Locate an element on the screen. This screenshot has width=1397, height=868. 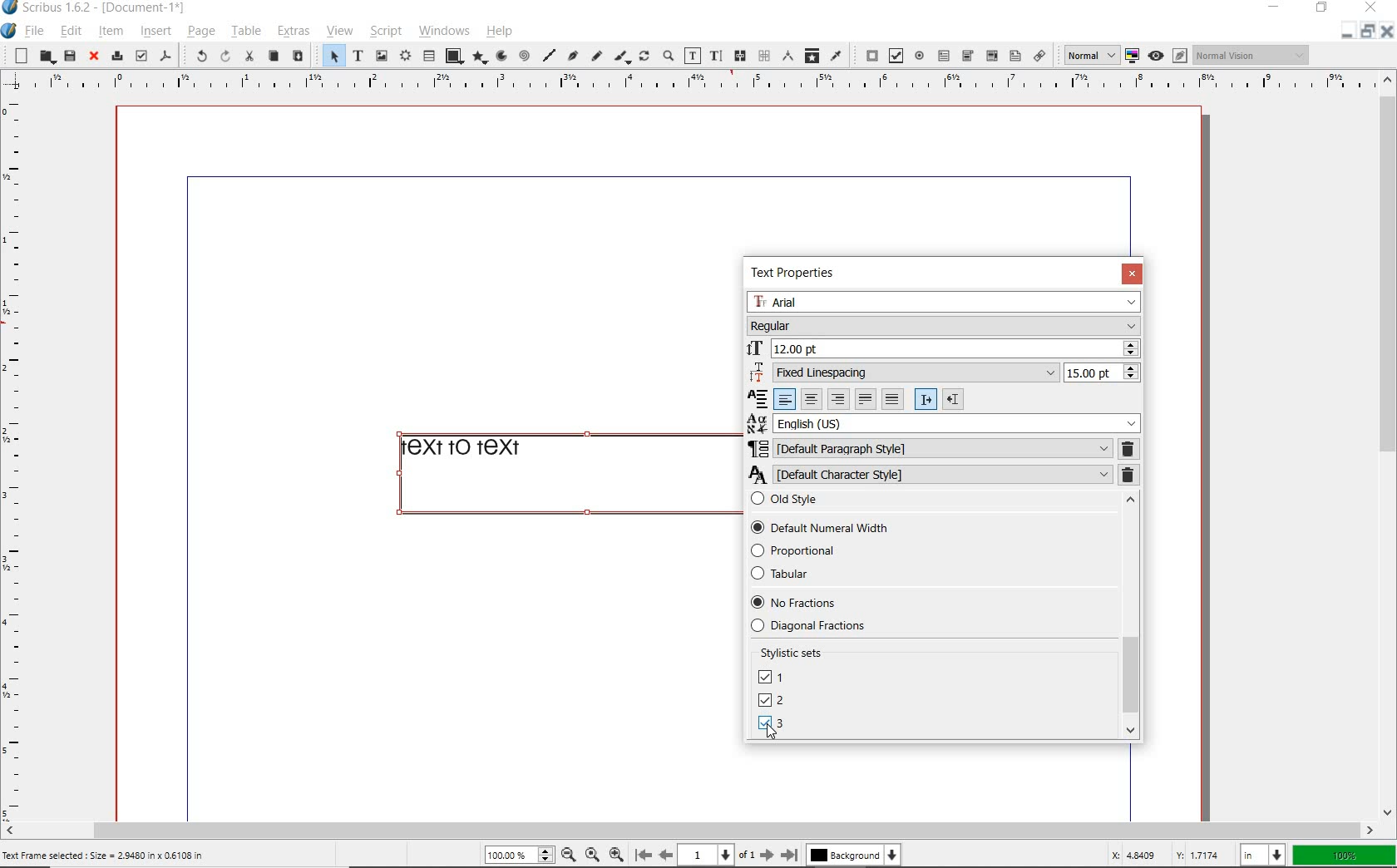
UNICASE is located at coordinates (770, 677).